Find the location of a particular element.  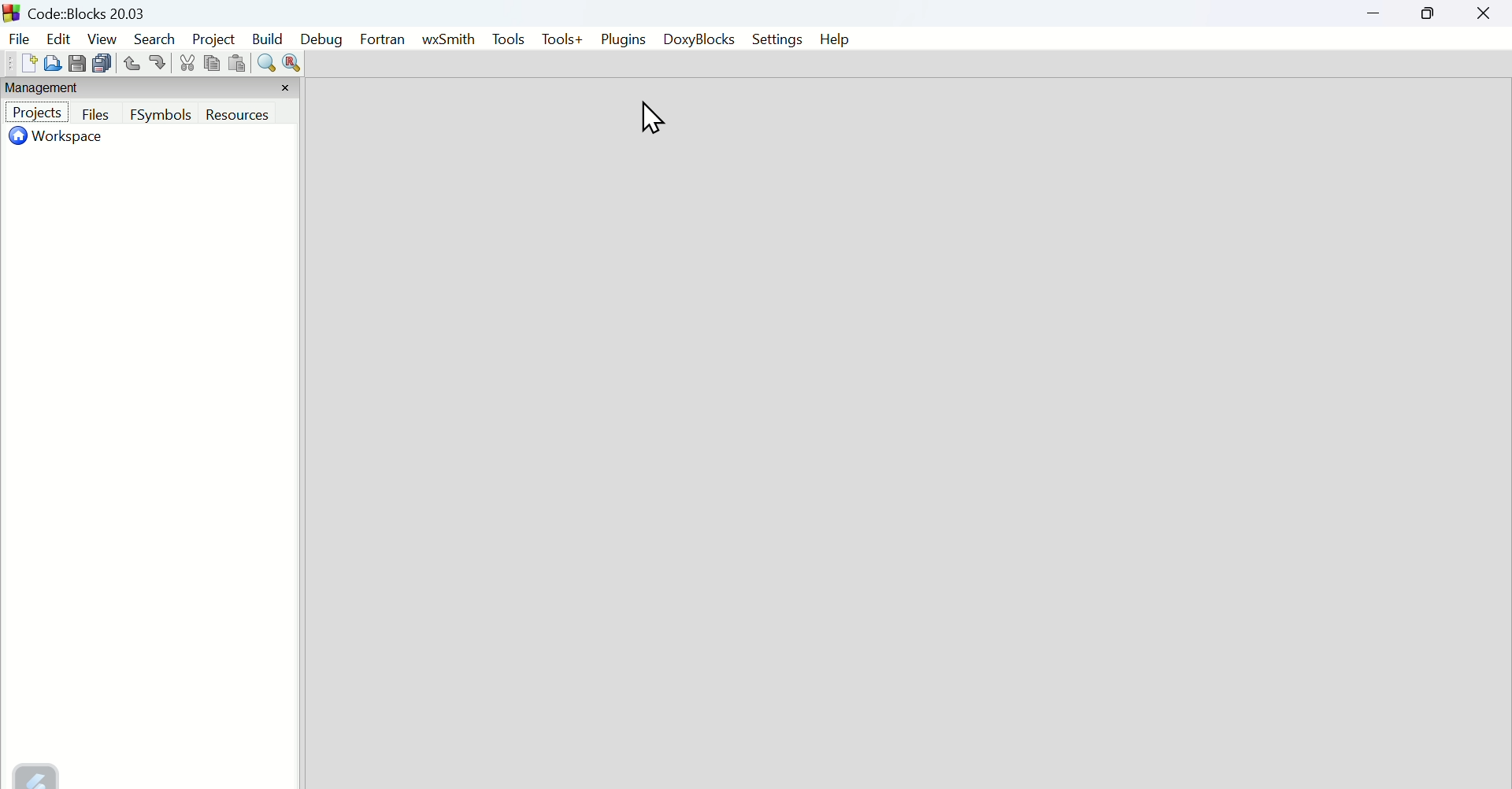

Save multiple file is located at coordinates (103, 62).